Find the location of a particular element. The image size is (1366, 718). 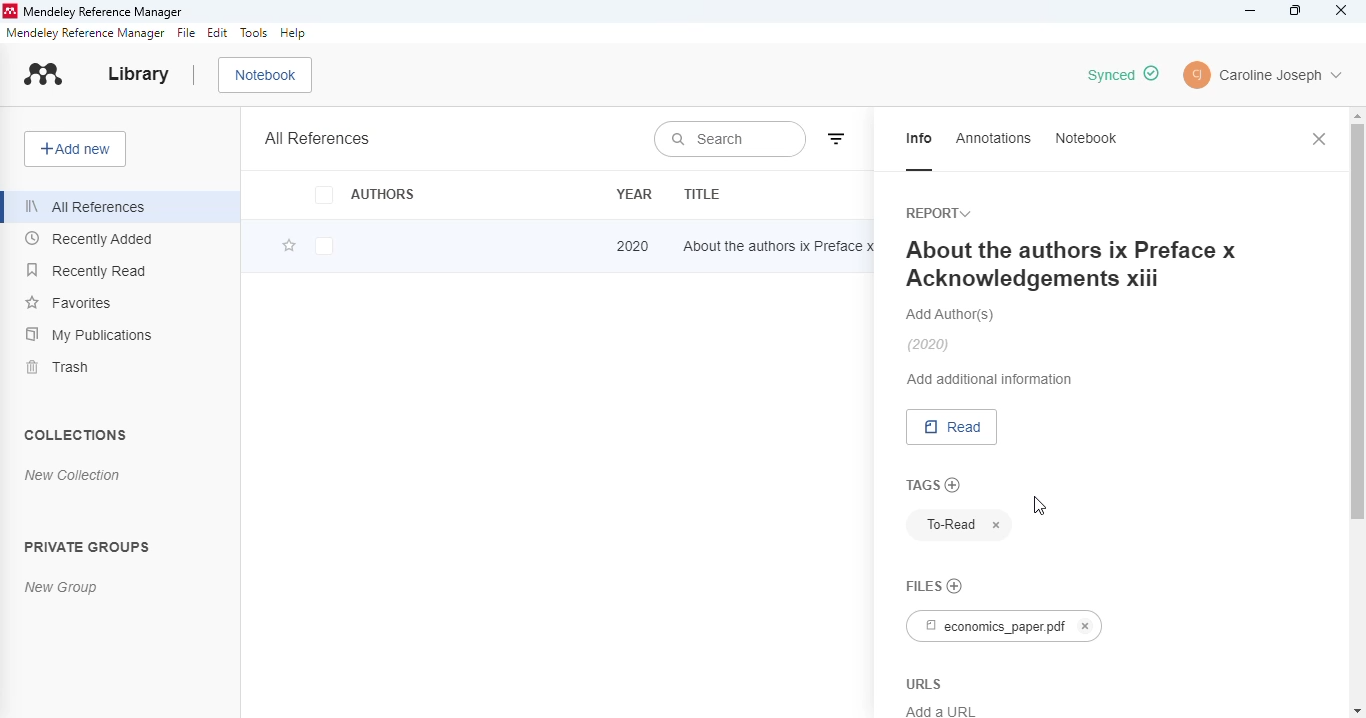

annotations is located at coordinates (993, 137).